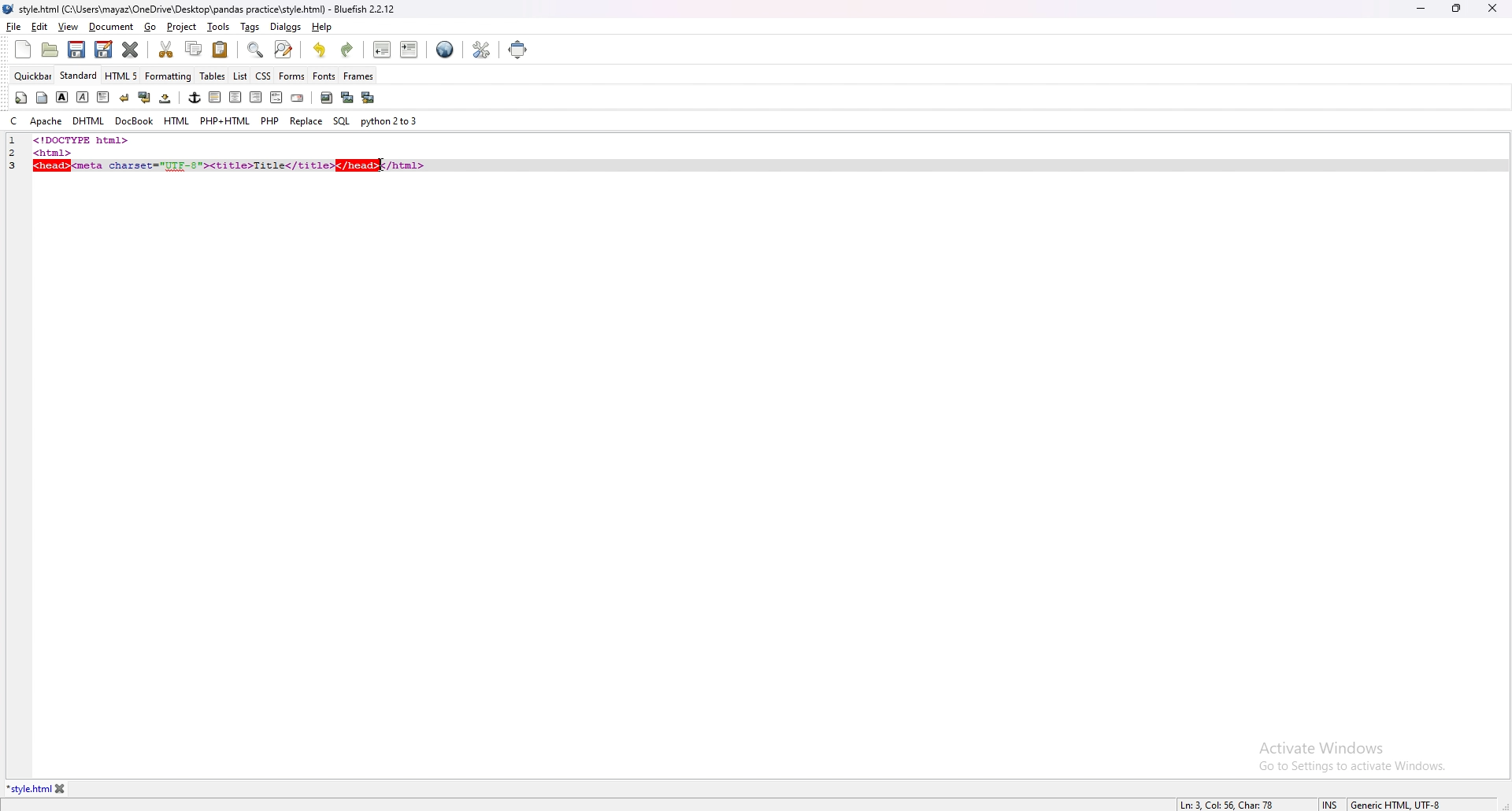 Image resolution: width=1512 pixels, height=811 pixels. What do you see at coordinates (270, 120) in the screenshot?
I see `php` at bounding box center [270, 120].